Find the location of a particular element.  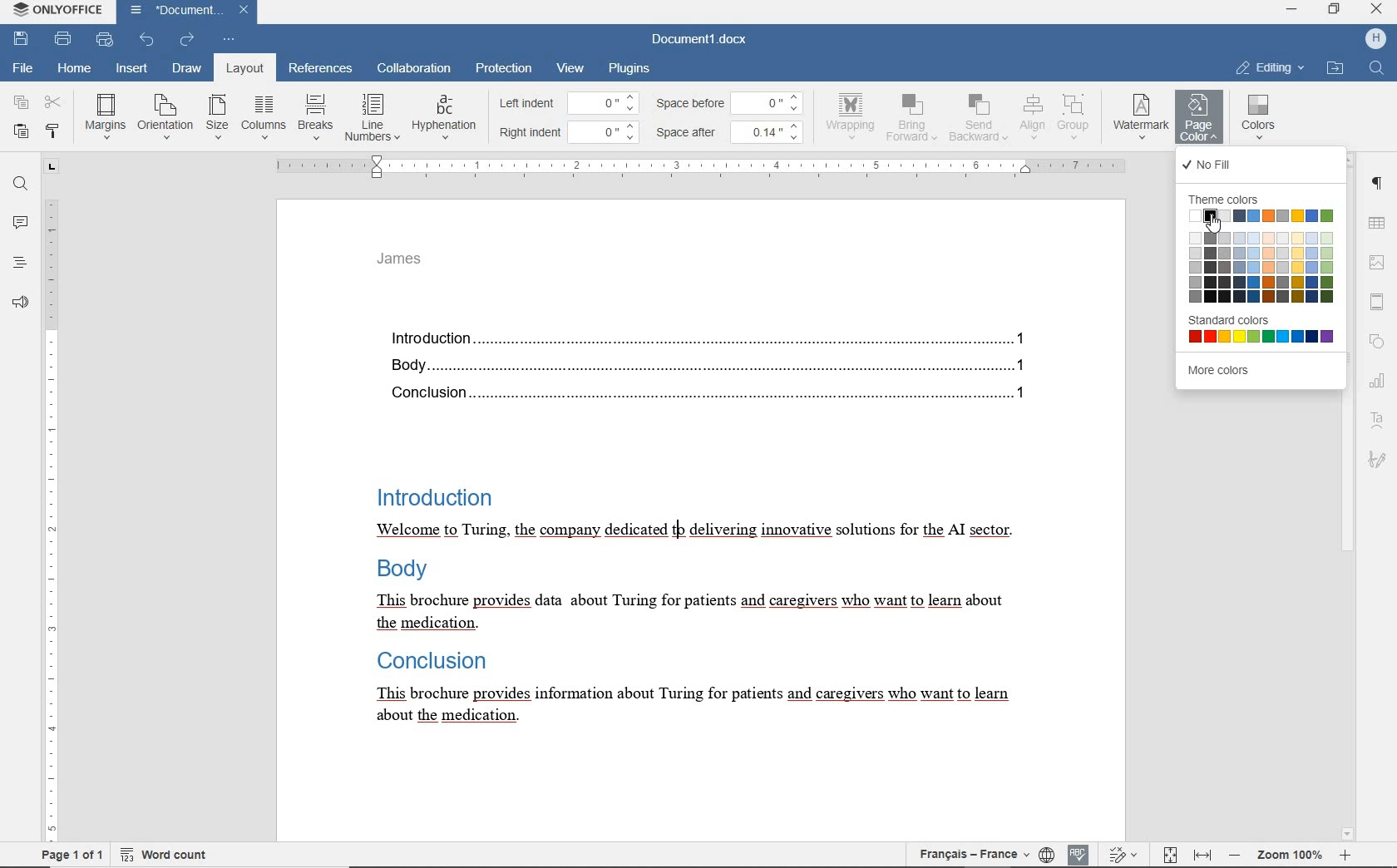

hyphenation is located at coordinates (447, 123).